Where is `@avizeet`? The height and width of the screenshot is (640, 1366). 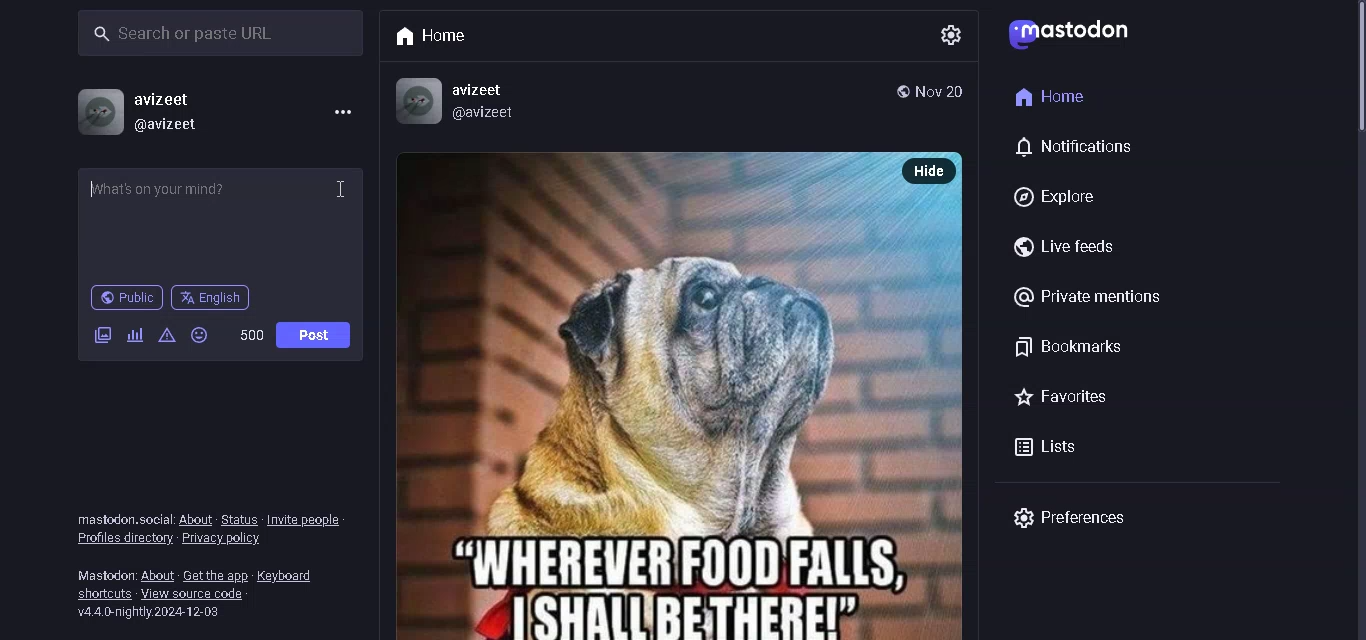 @avizeet is located at coordinates (497, 113).